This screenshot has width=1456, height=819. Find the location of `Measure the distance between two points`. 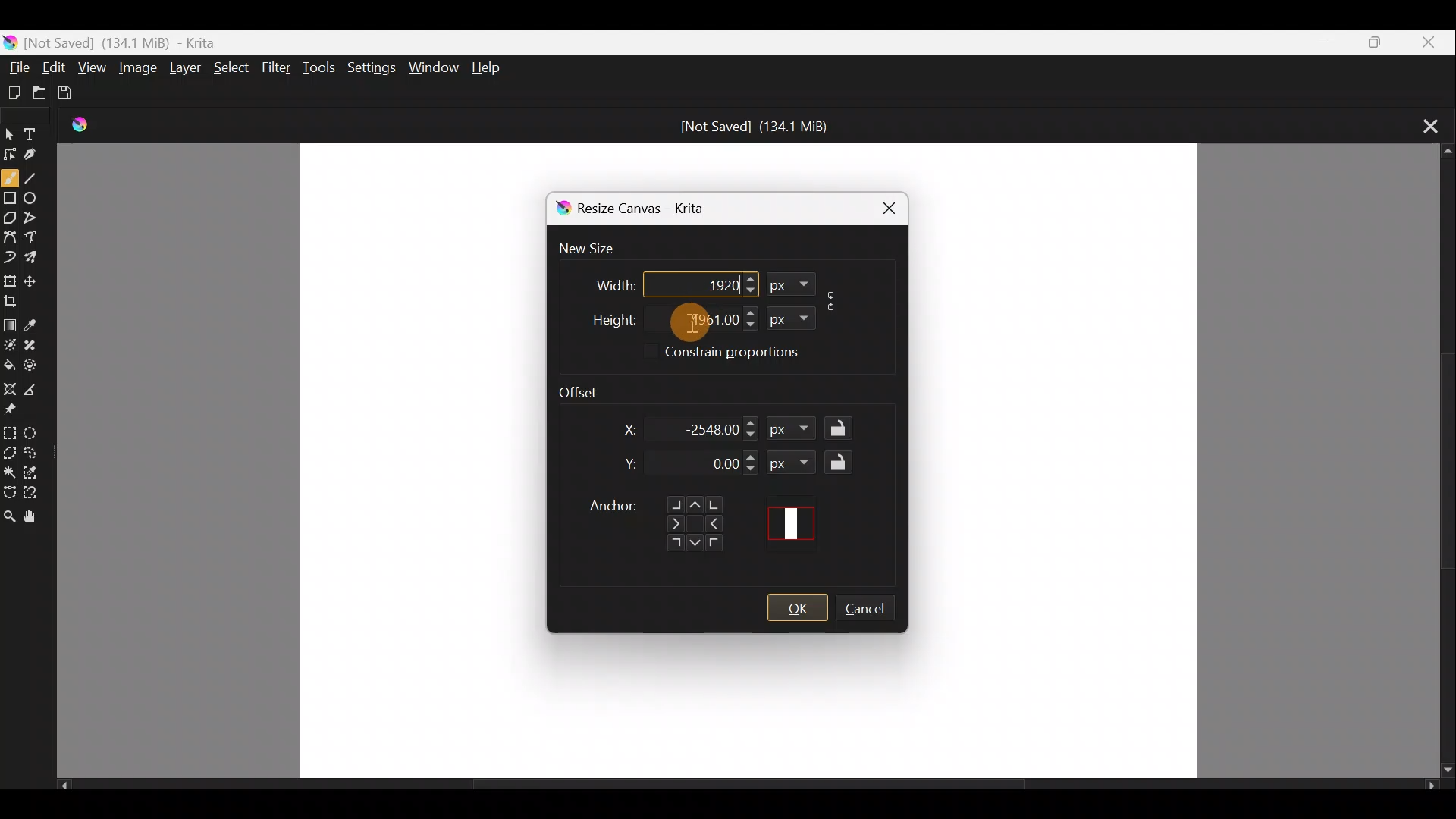

Measure the distance between two points is located at coordinates (35, 391).